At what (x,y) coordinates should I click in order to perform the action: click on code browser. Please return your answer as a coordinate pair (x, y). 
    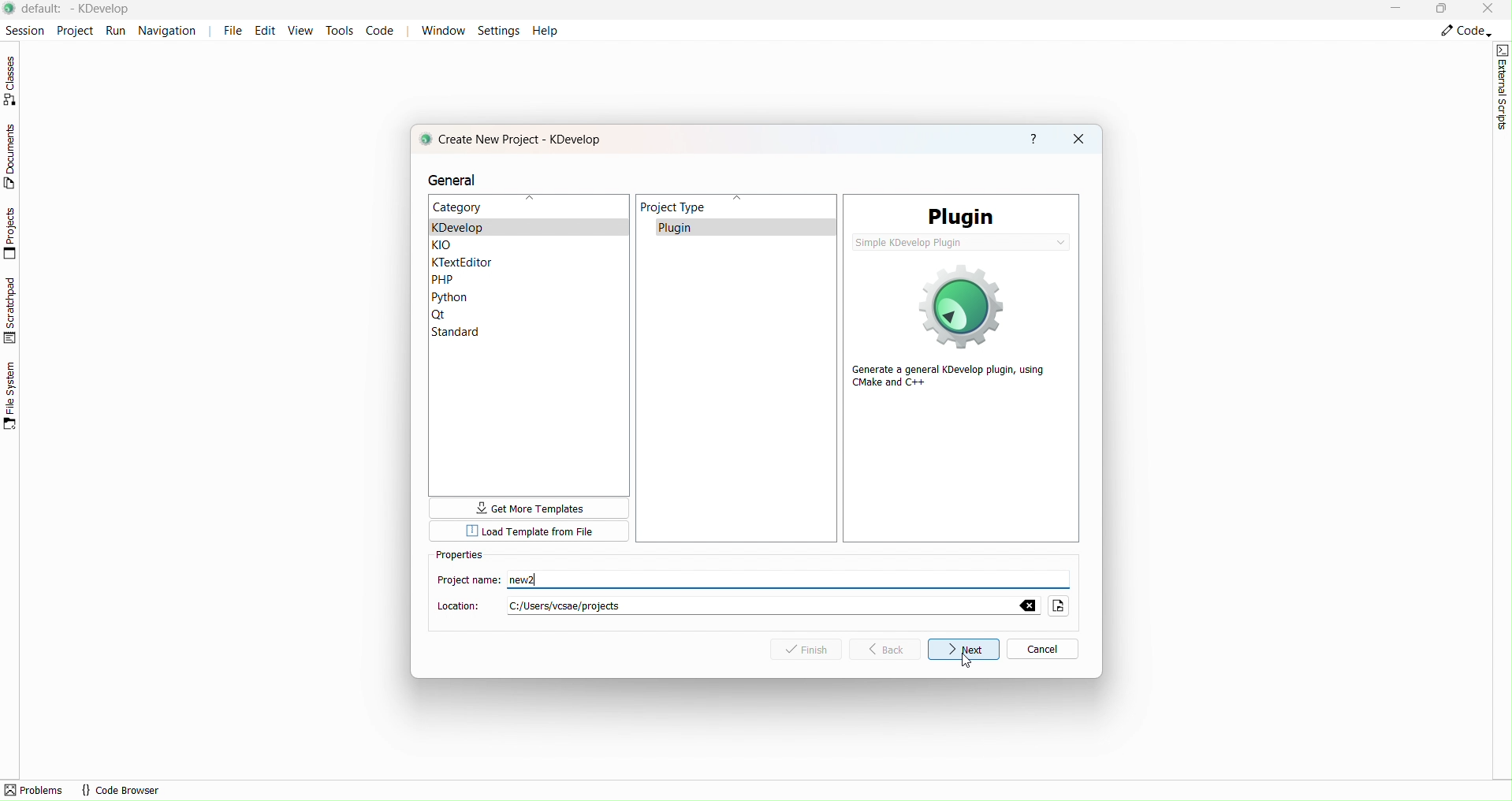
    Looking at the image, I should click on (121, 790).